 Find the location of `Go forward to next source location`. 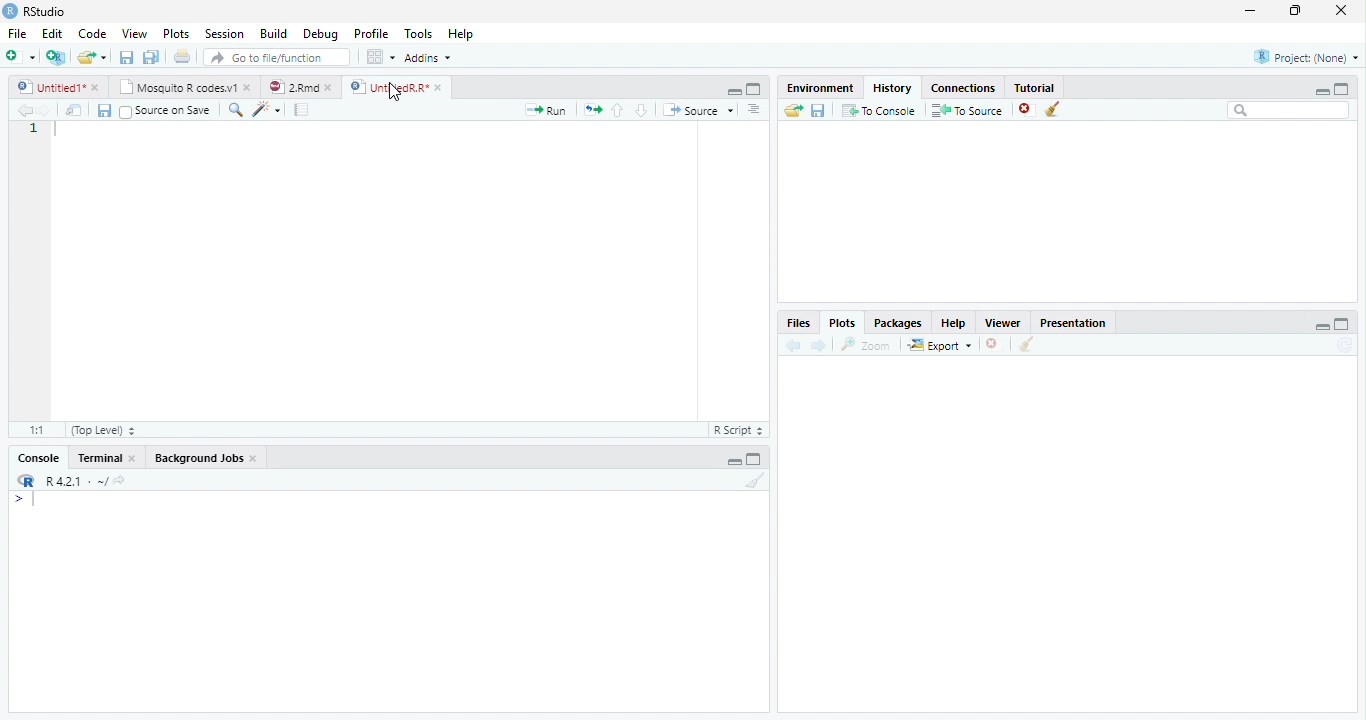

Go forward to next source location is located at coordinates (45, 111).